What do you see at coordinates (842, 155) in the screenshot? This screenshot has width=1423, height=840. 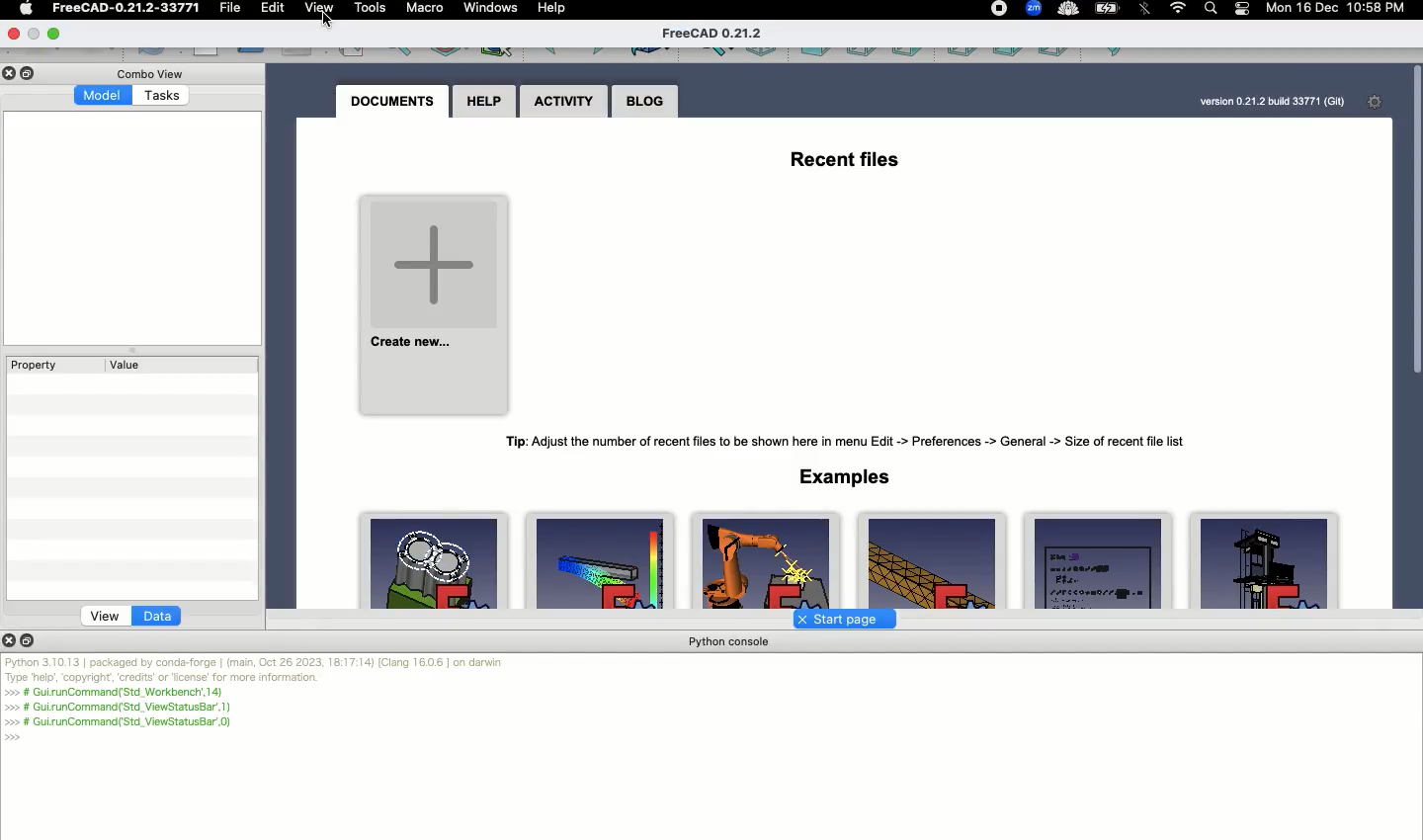 I see `Recent files` at bounding box center [842, 155].